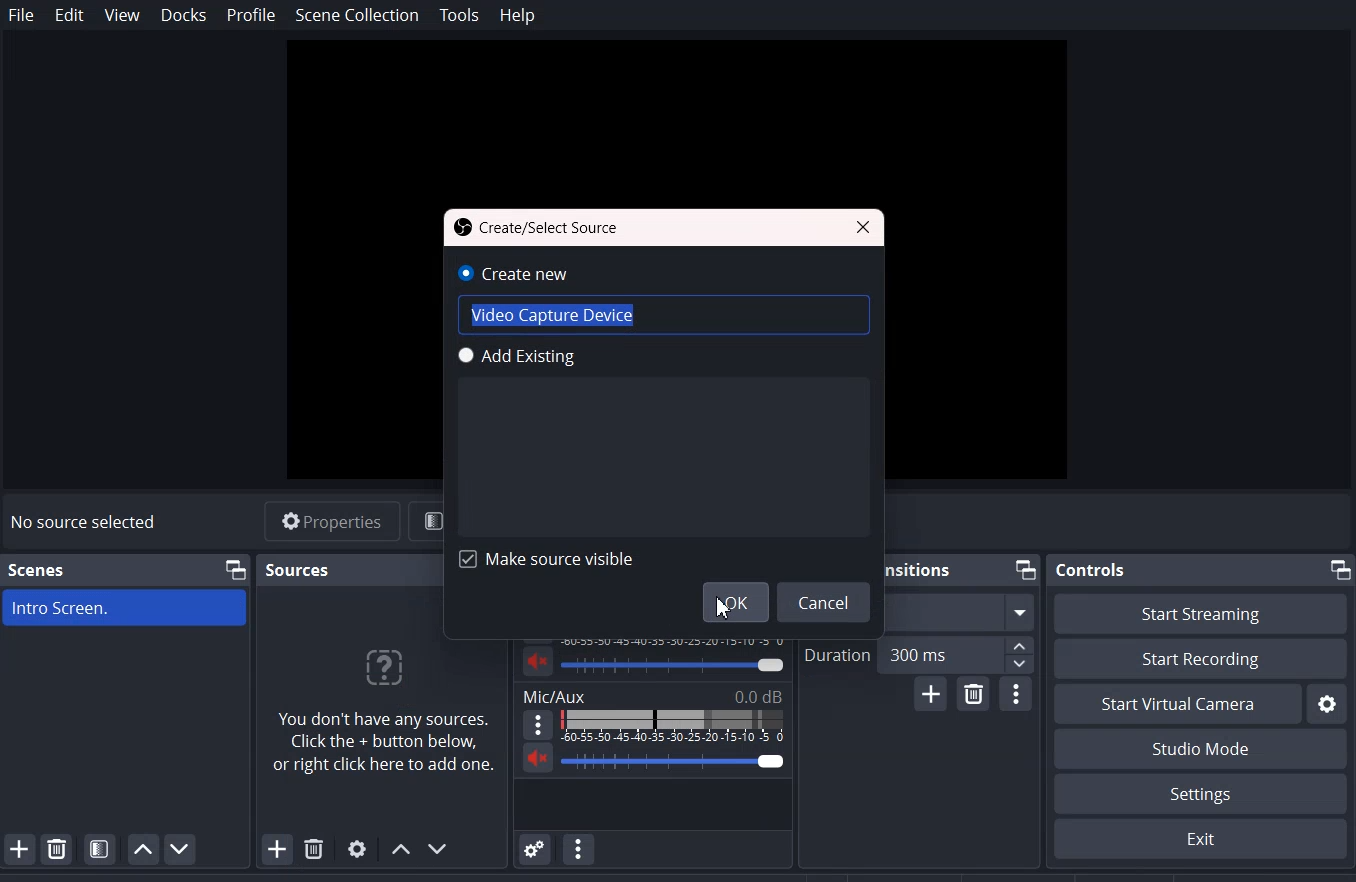  What do you see at coordinates (1091, 569) in the screenshot?
I see `Controls` at bounding box center [1091, 569].